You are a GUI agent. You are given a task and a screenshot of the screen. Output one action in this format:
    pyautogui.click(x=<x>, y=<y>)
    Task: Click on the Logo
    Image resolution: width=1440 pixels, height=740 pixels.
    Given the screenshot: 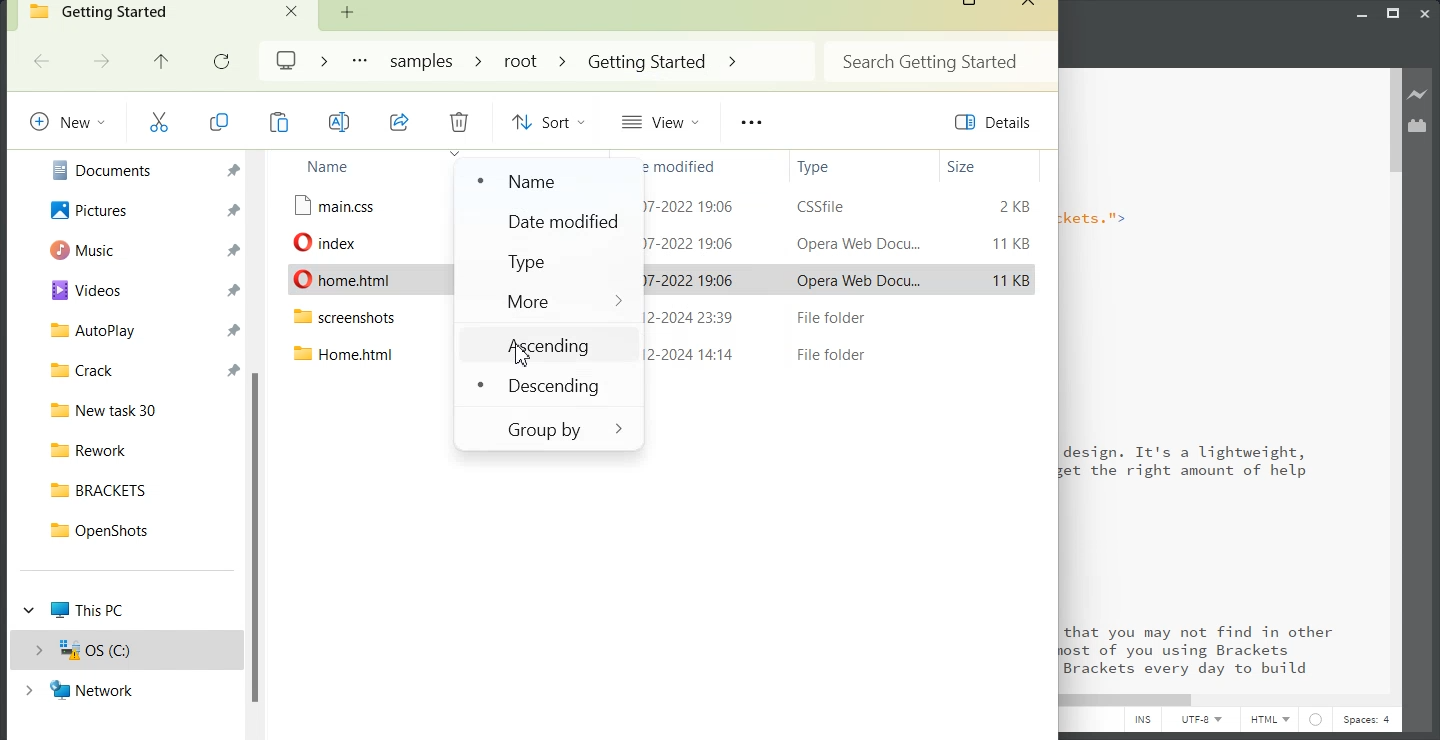 What is the action you would take?
    pyautogui.click(x=288, y=60)
    